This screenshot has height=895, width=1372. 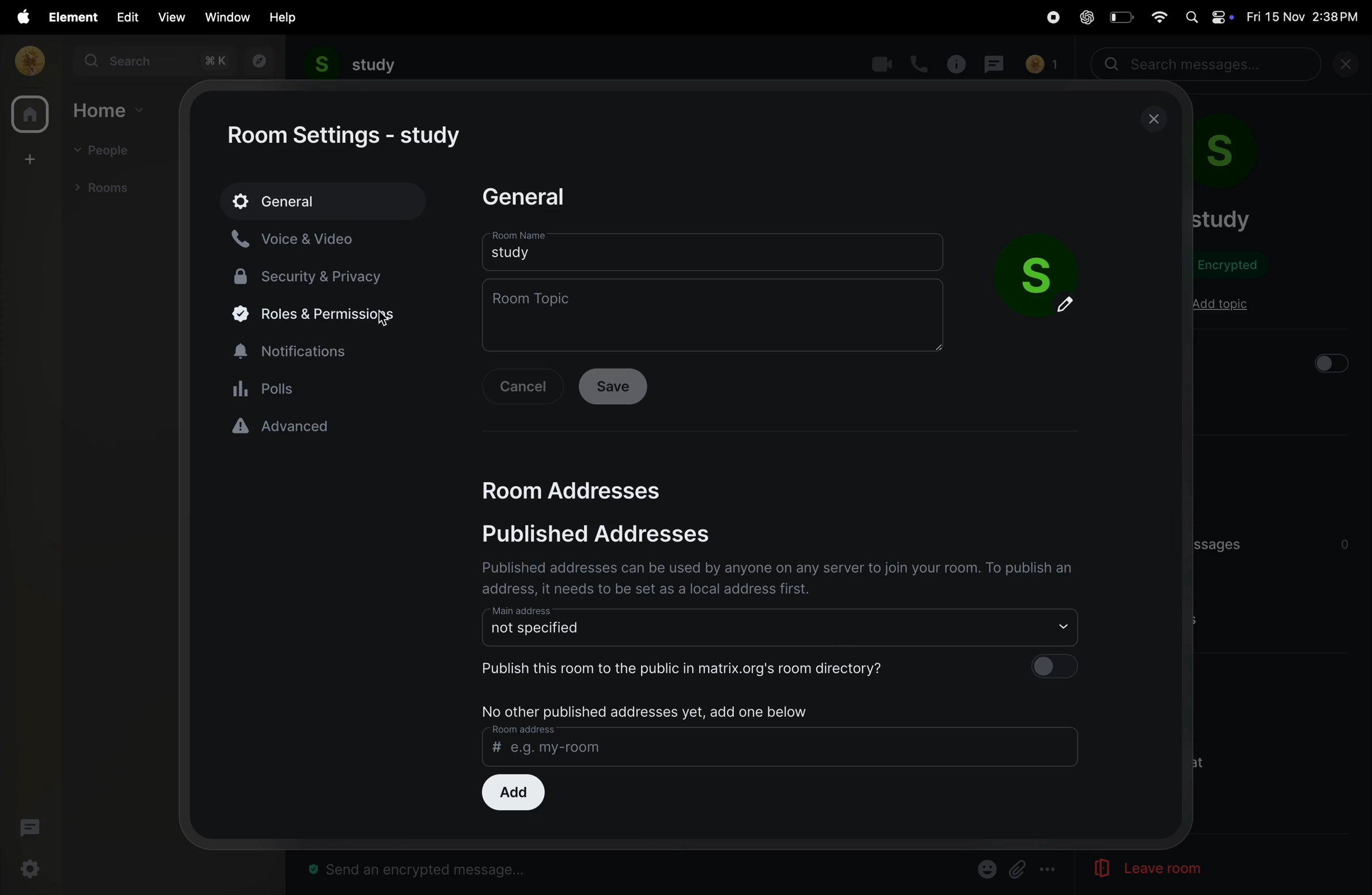 I want to click on help, so click(x=284, y=17).